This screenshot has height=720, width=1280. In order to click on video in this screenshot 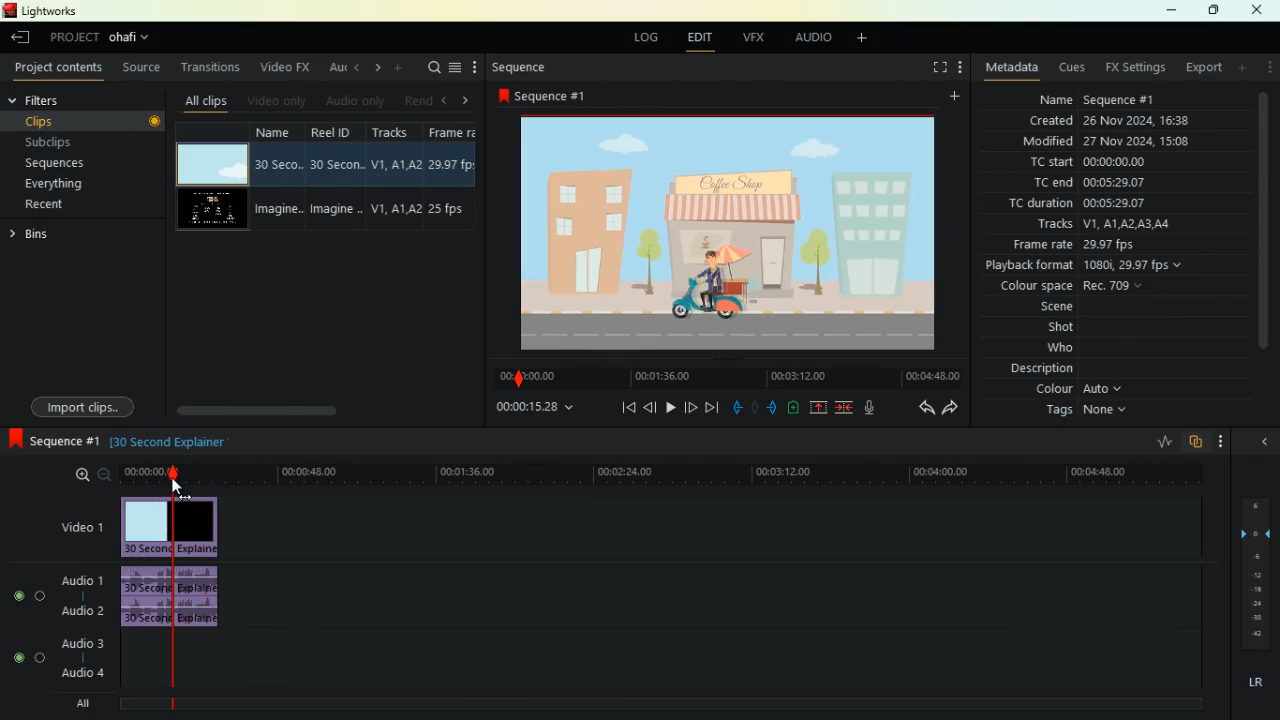, I will do `click(210, 210)`.